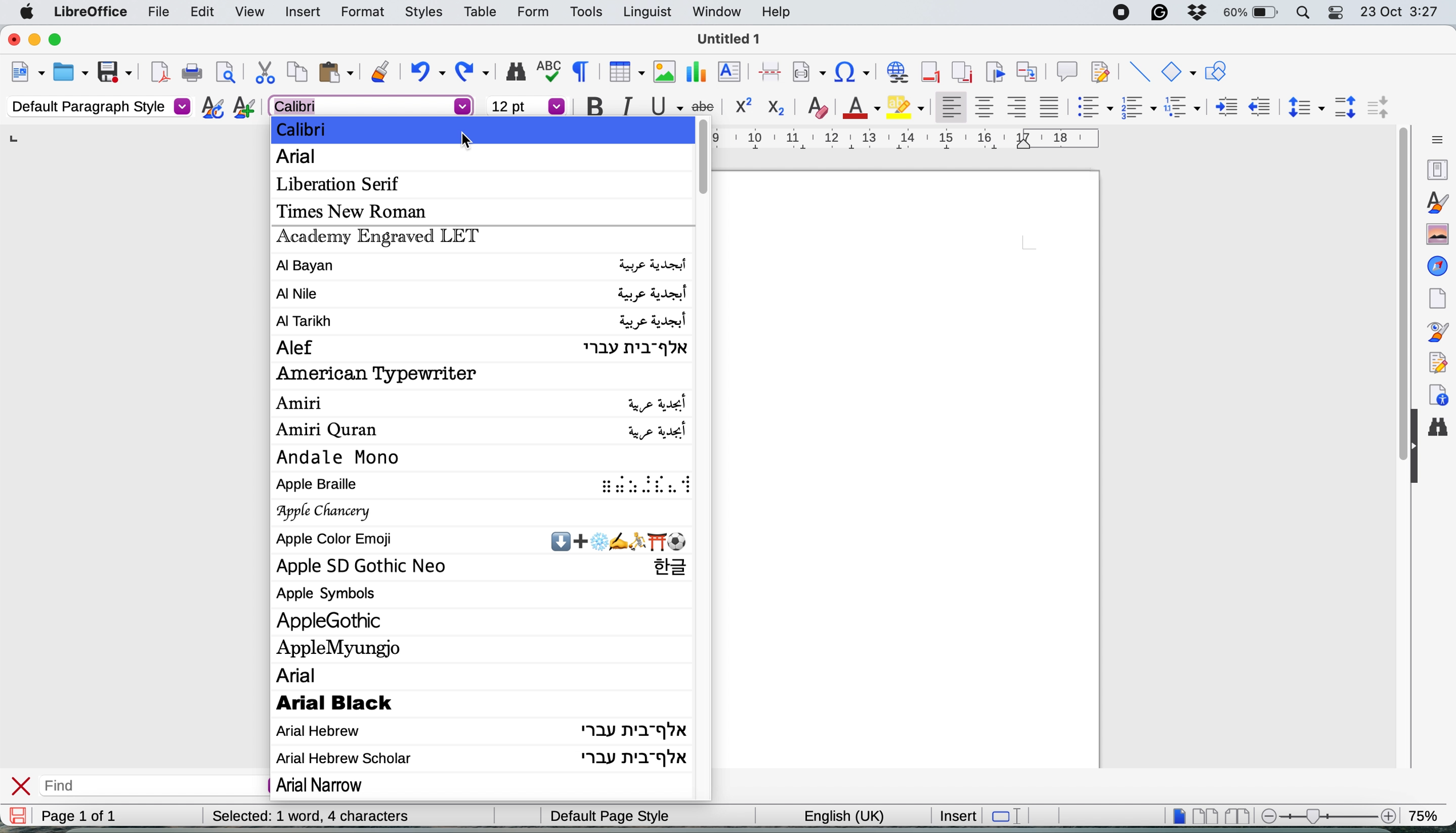  I want to click on al nile, so click(483, 293).